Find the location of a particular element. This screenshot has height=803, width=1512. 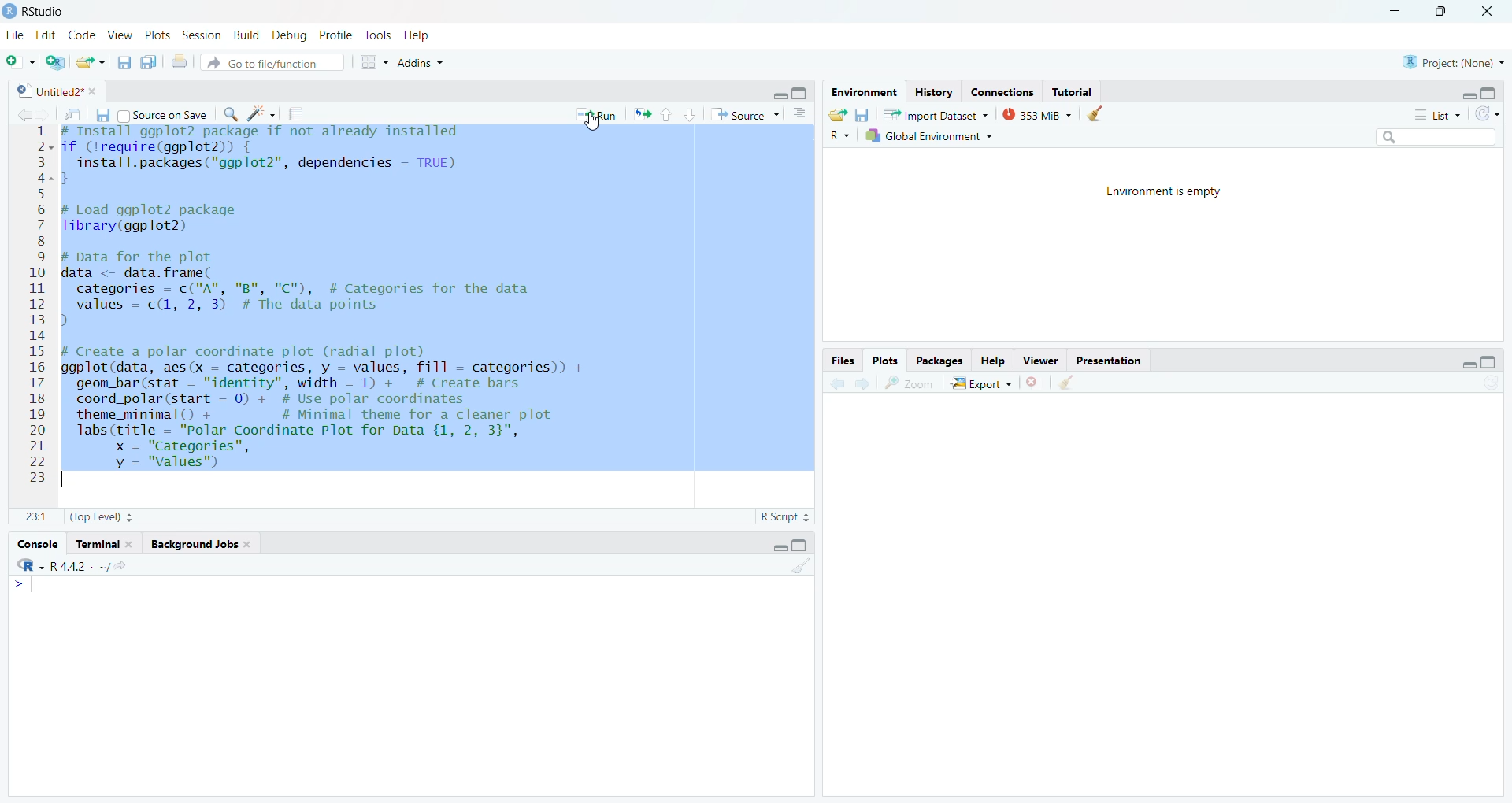

1234567891011121314151617181920212223 is located at coordinates (34, 305).